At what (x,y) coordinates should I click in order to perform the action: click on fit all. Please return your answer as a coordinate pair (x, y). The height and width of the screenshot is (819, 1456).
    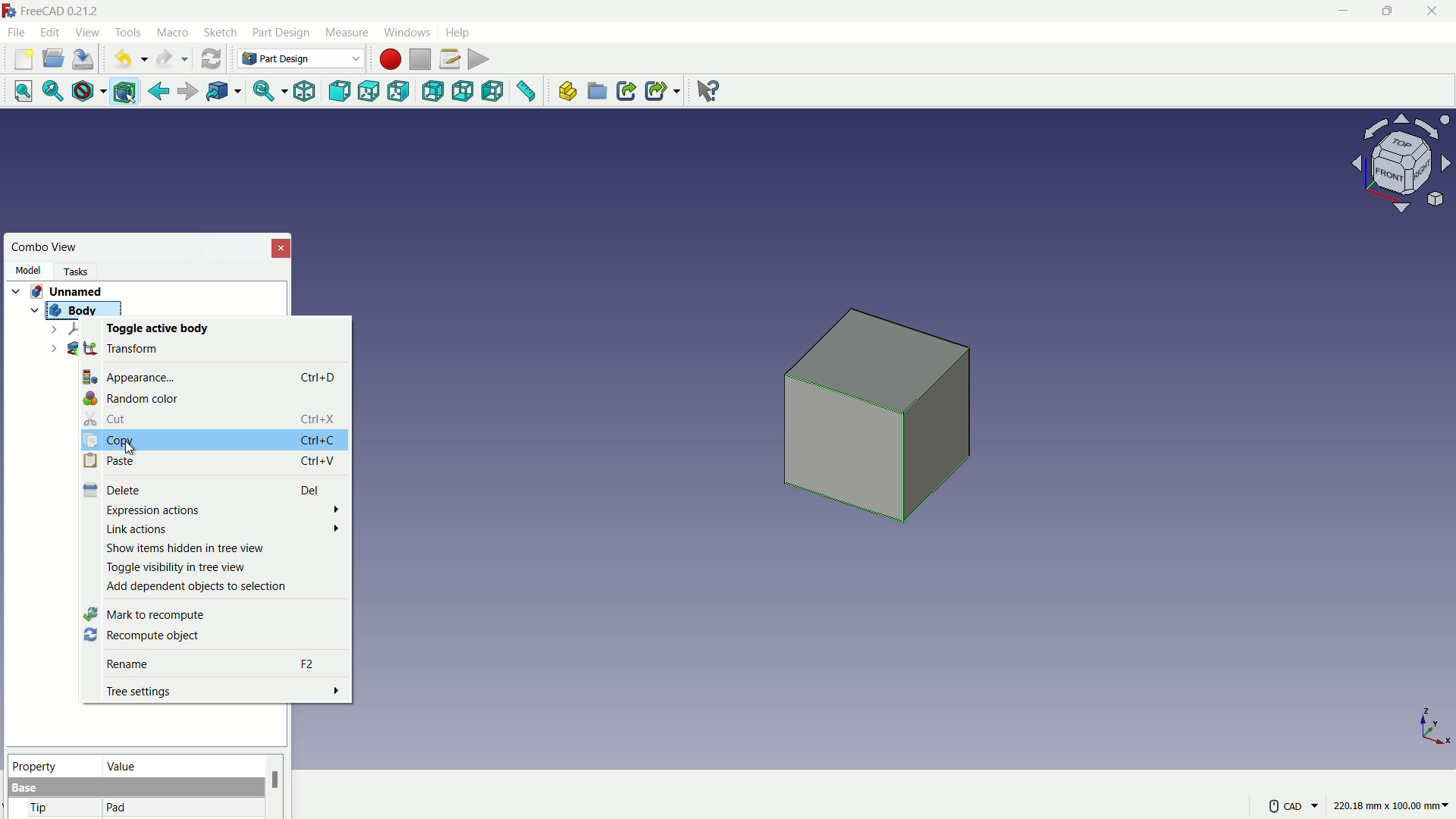
    Looking at the image, I should click on (18, 90).